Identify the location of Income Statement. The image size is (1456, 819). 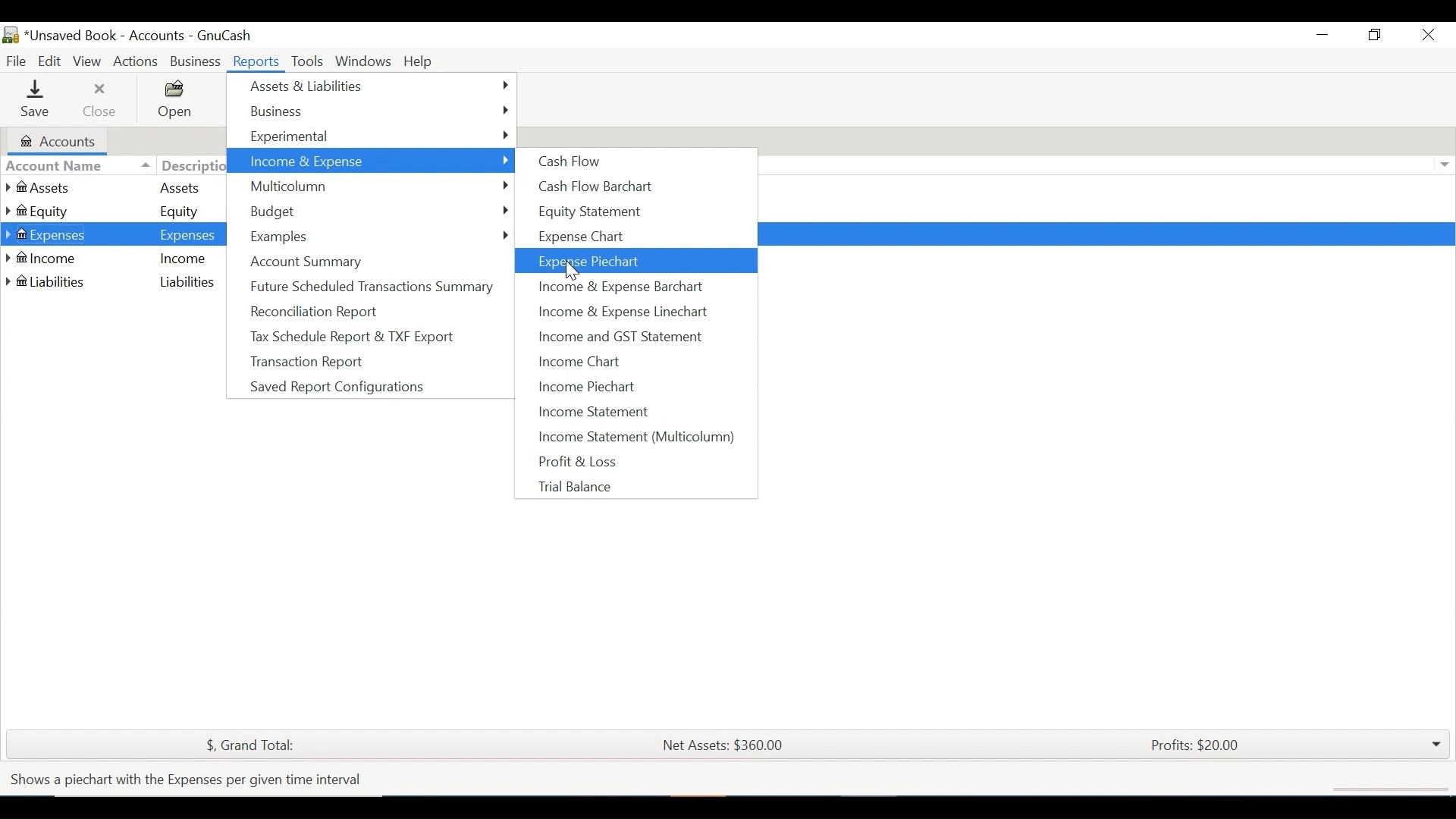
(586, 413).